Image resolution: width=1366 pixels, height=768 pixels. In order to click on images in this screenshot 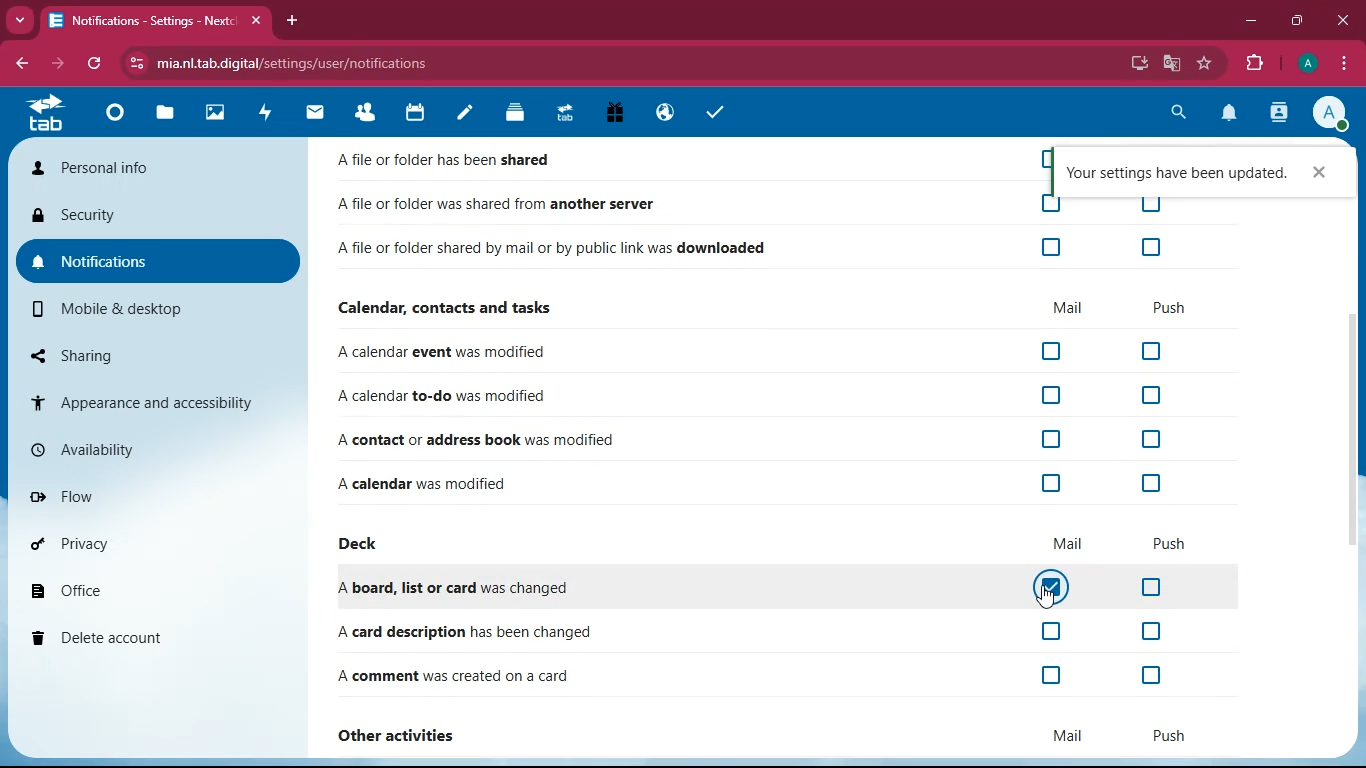, I will do `click(219, 115)`.